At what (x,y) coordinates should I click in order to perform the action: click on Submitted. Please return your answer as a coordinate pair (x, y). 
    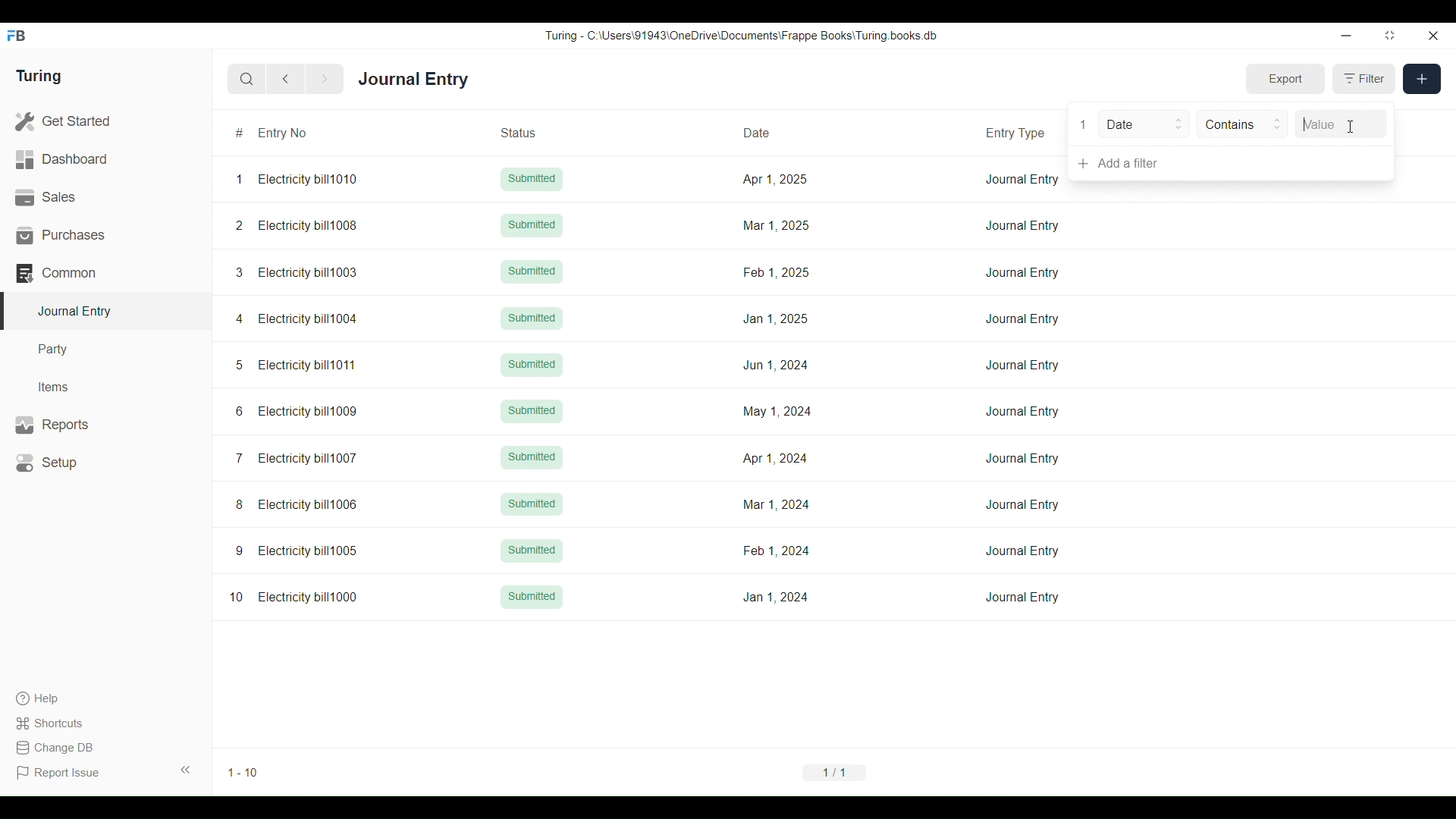
    Looking at the image, I should click on (532, 550).